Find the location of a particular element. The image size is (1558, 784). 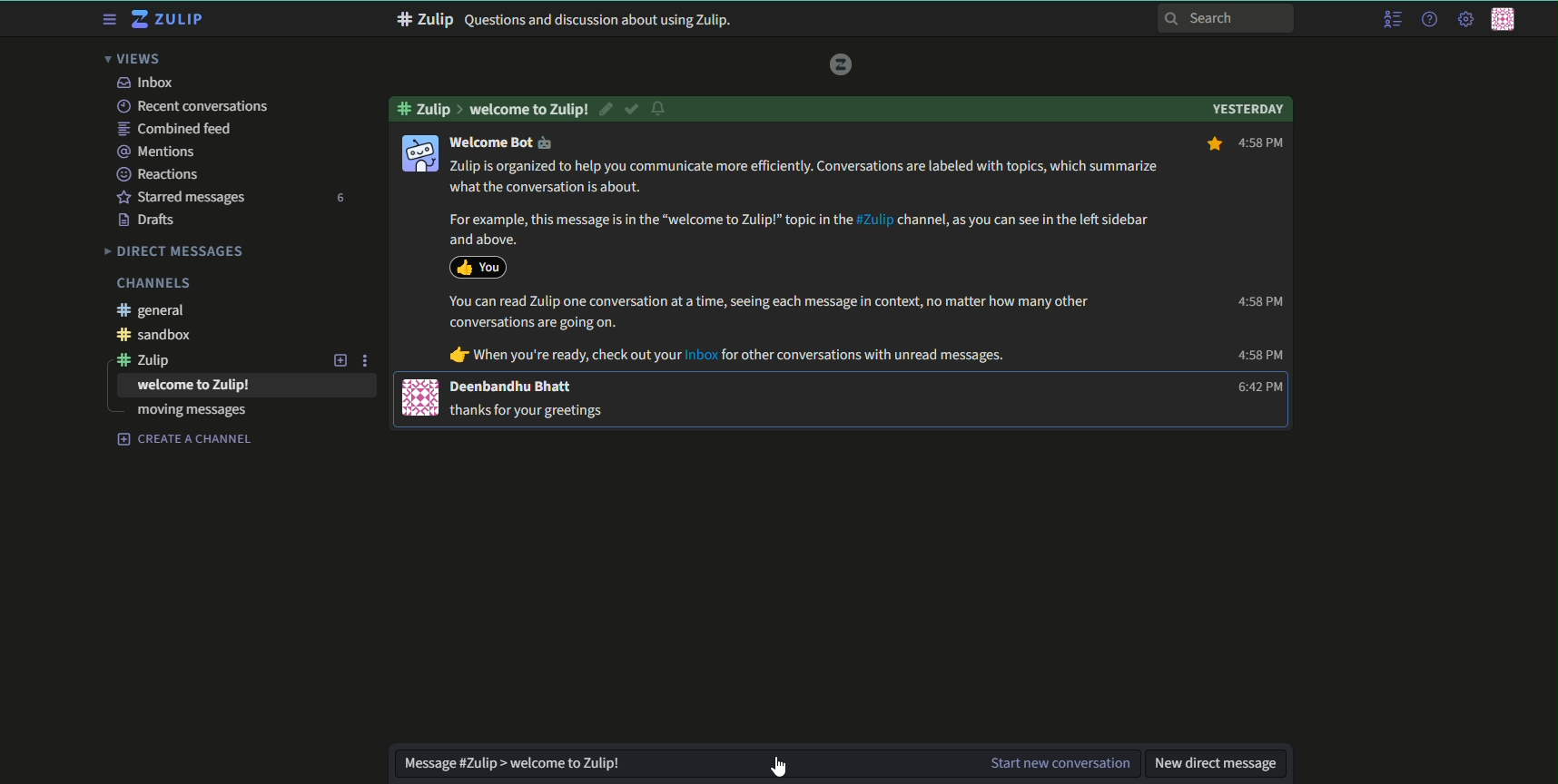

4:58 PM is located at coordinates (1260, 356).